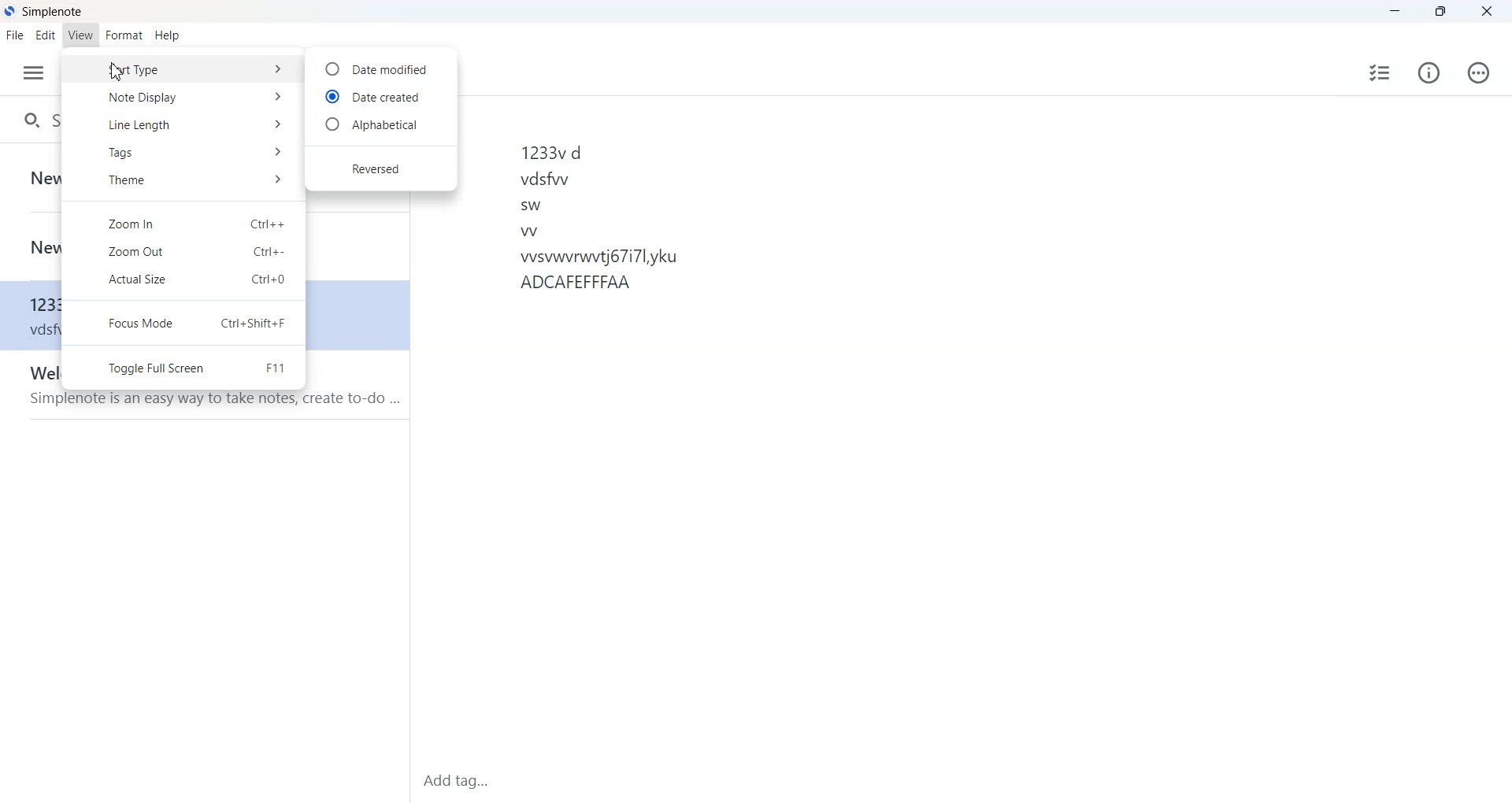 The width and height of the screenshot is (1512, 803). What do you see at coordinates (46, 36) in the screenshot?
I see `Edit` at bounding box center [46, 36].